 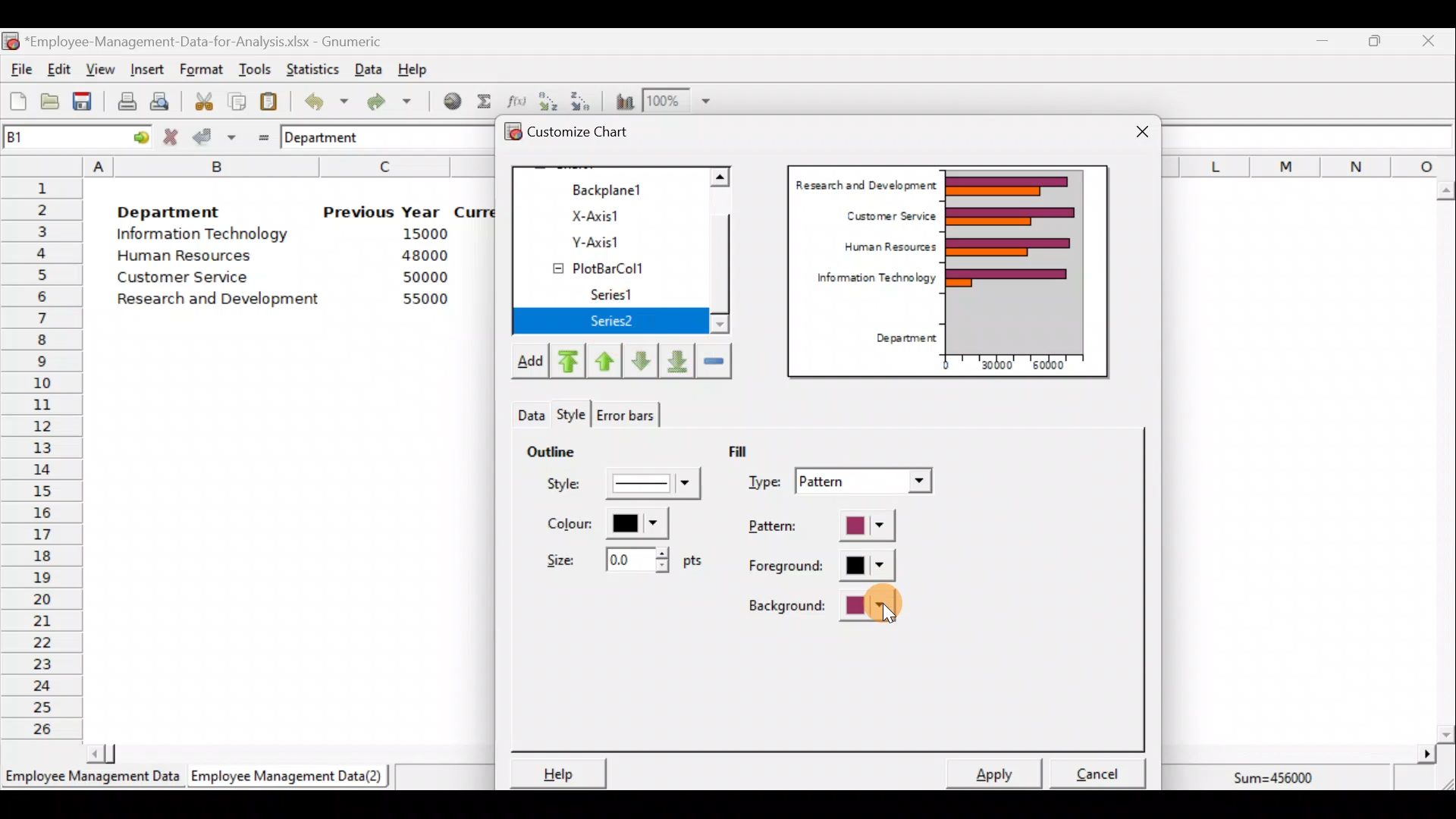 What do you see at coordinates (612, 263) in the screenshot?
I see `PlotBarCol1` at bounding box center [612, 263].